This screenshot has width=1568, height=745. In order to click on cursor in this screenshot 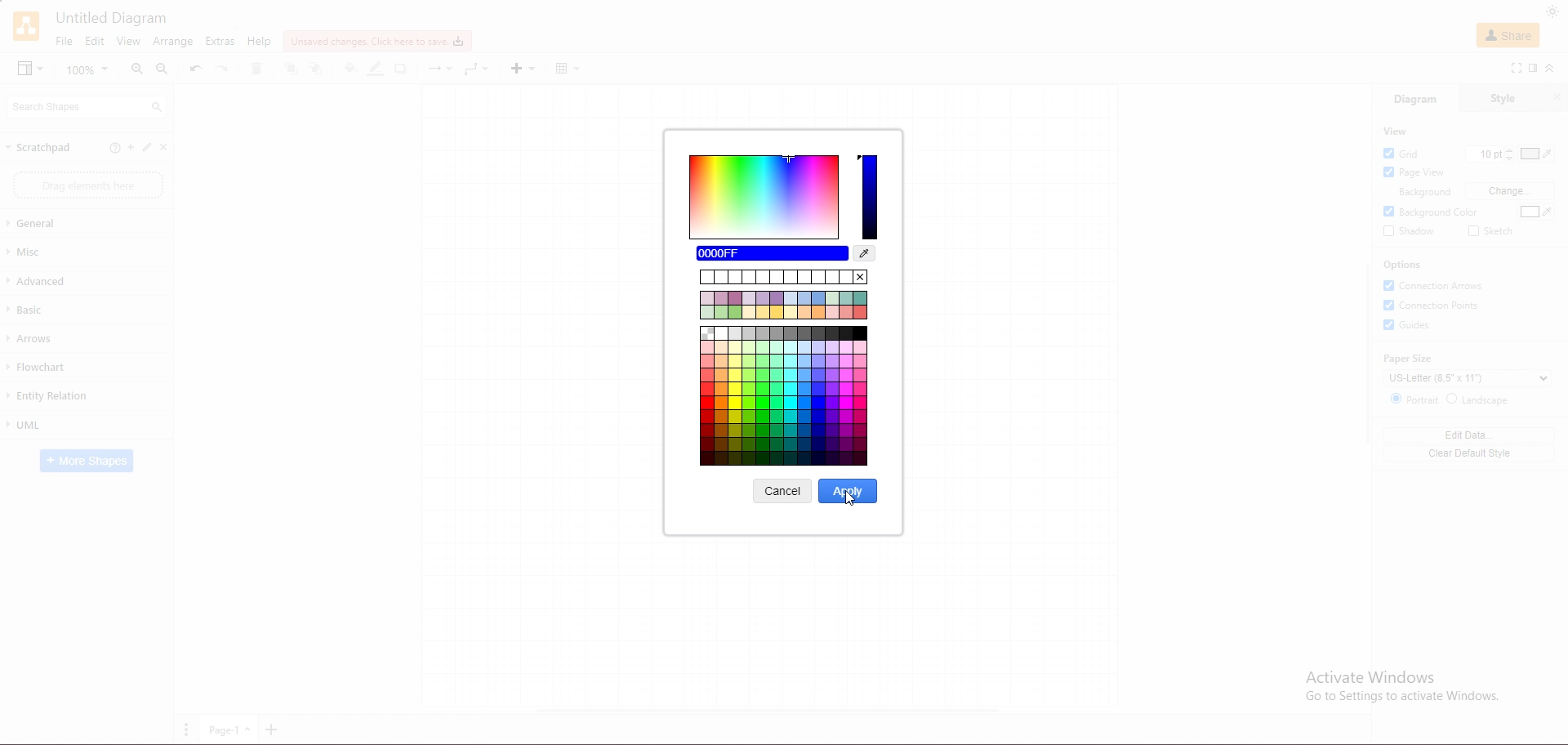, I will do `click(853, 500)`.